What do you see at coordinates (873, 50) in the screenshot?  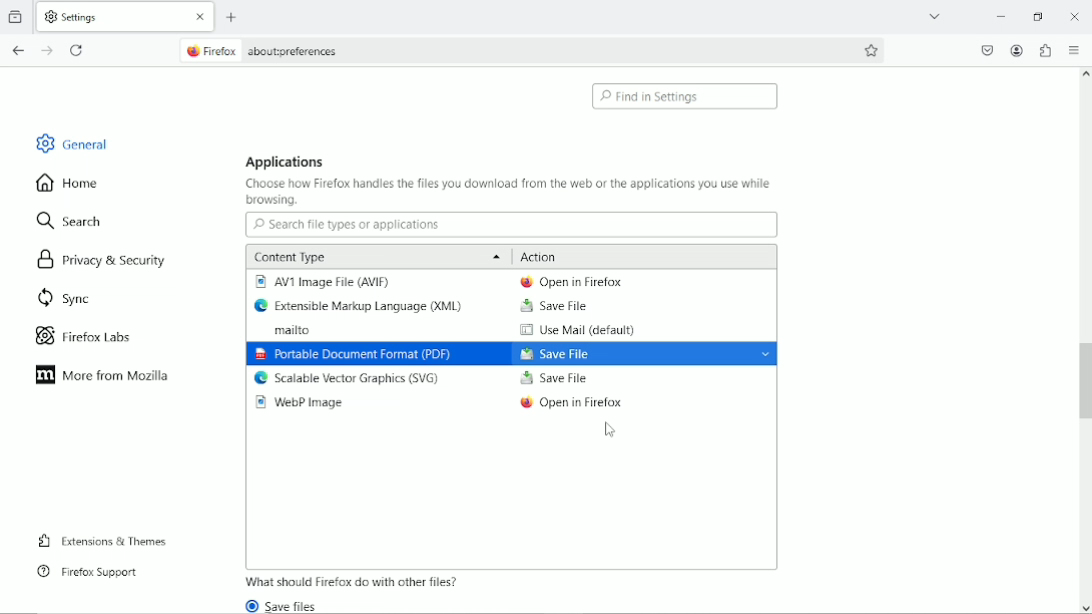 I see `Bookmark this page` at bounding box center [873, 50].